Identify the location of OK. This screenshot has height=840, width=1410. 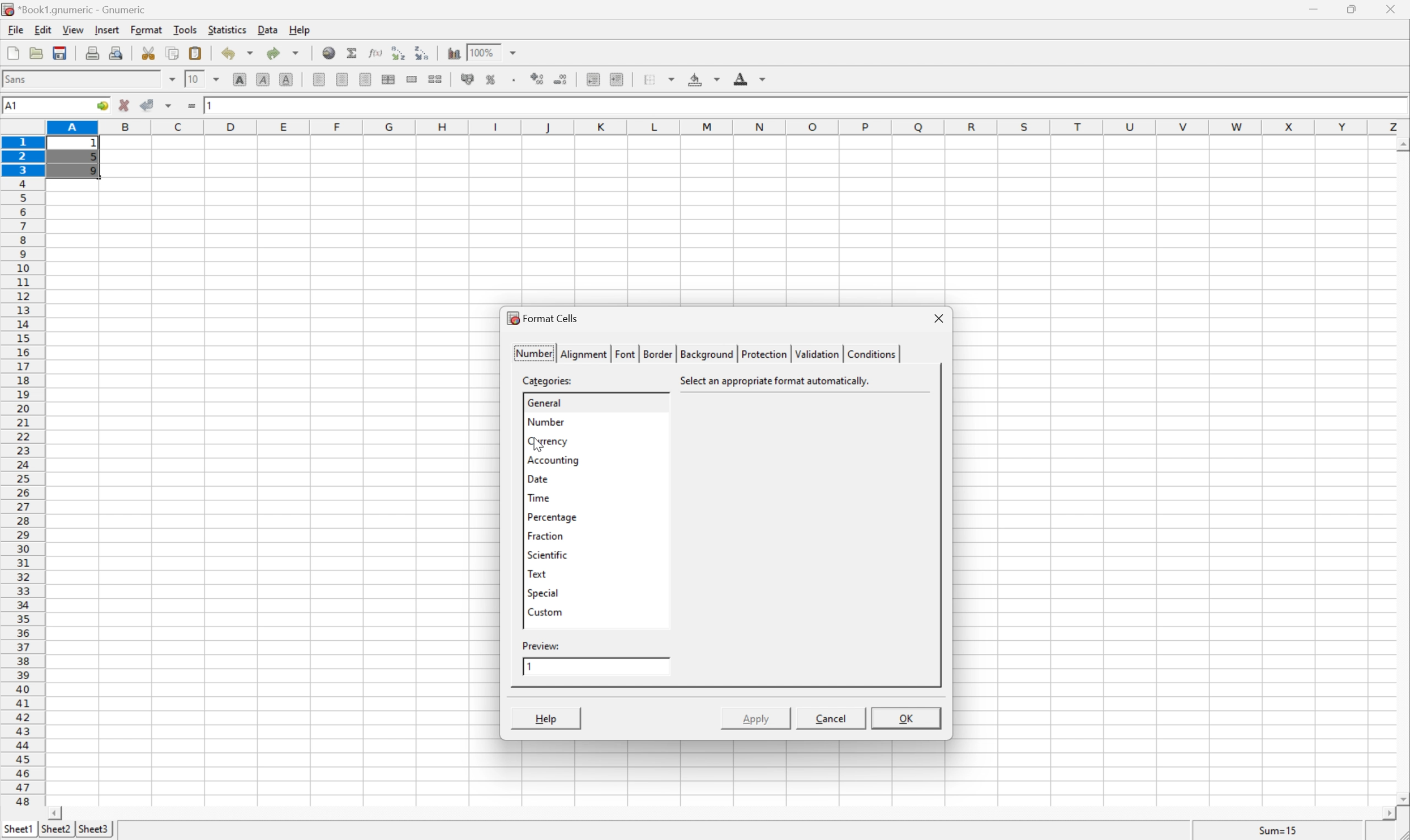
(907, 720).